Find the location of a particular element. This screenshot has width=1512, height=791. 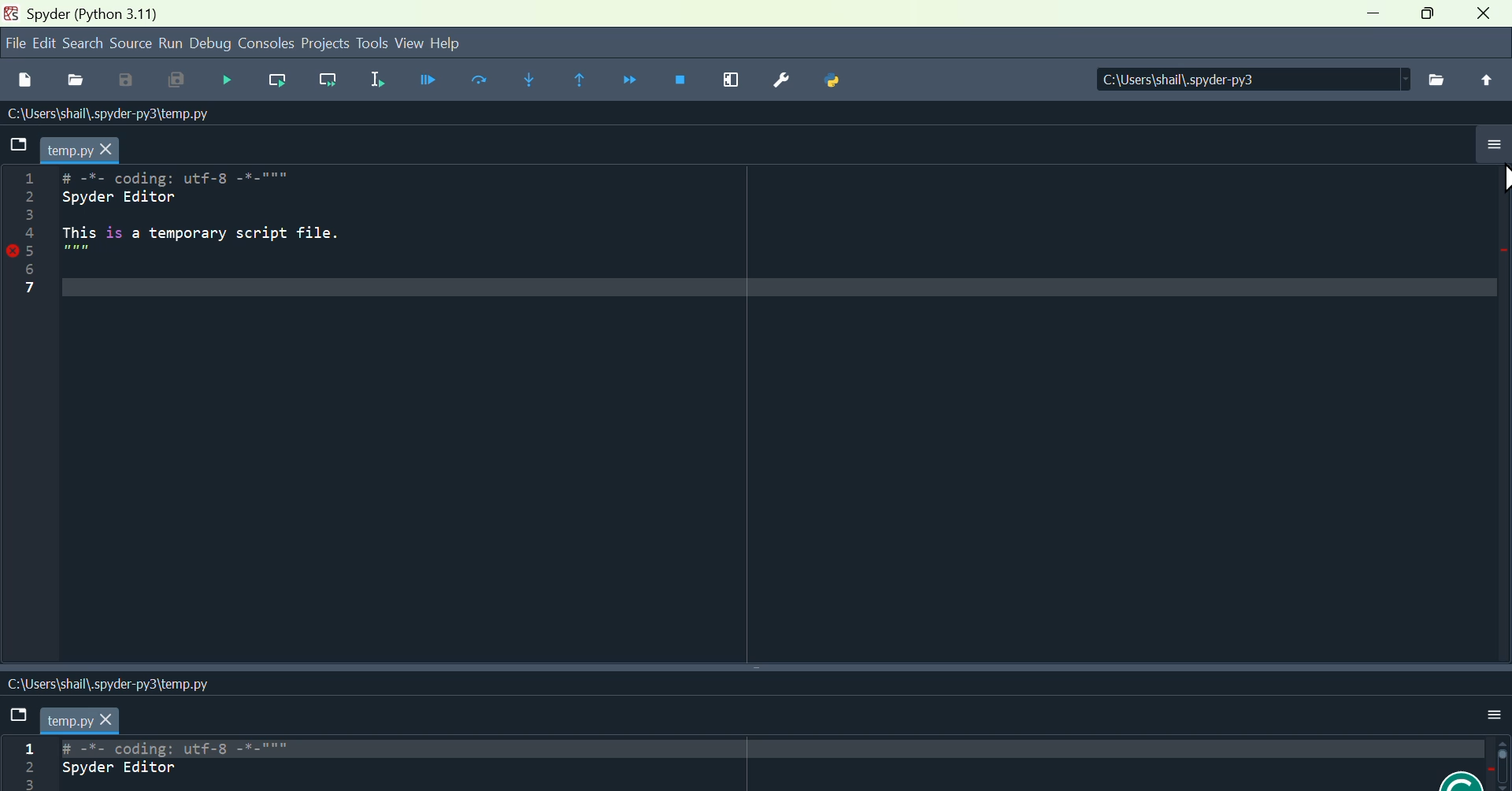

Source is located at coordinates (132, 47).